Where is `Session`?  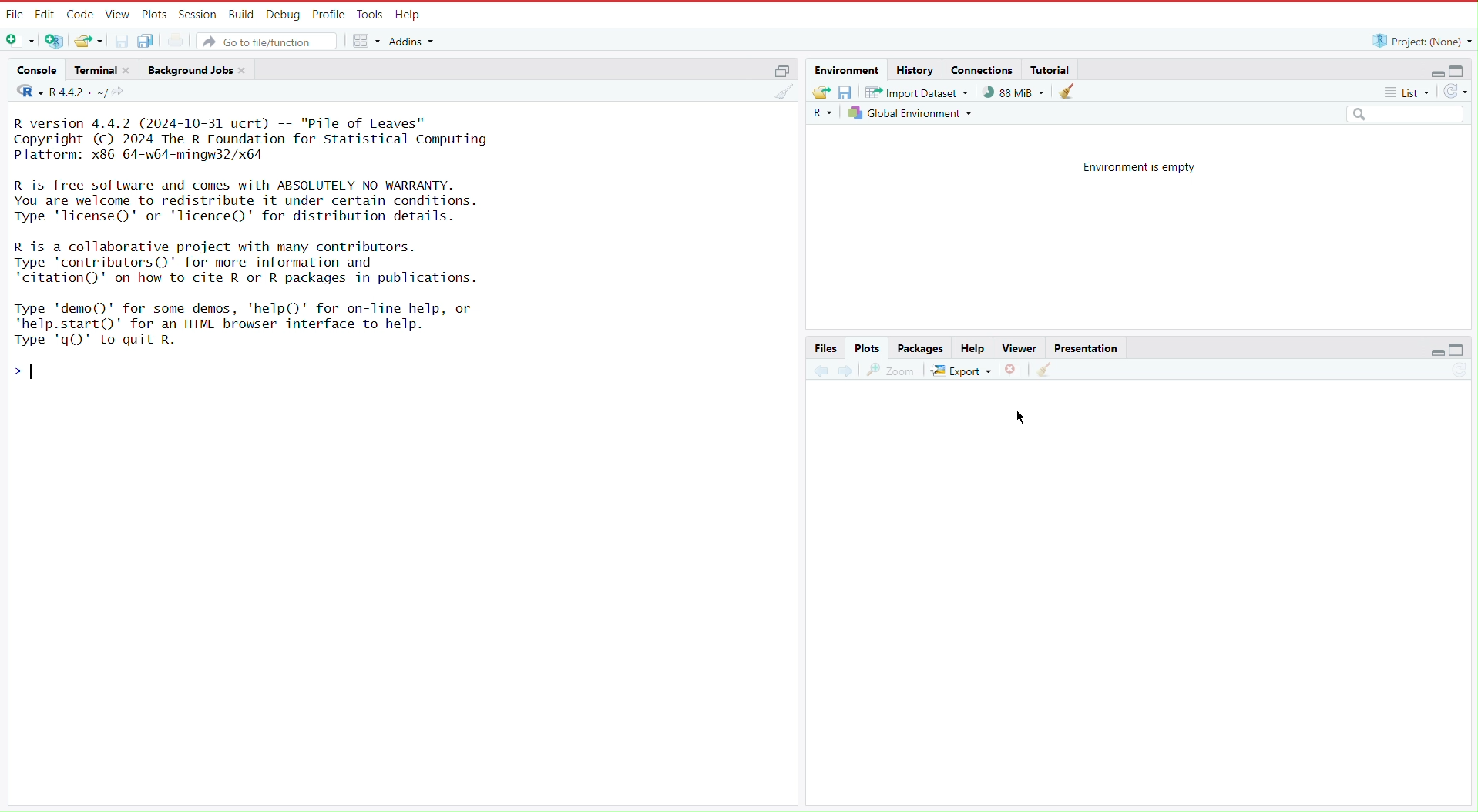 Session is located at coordinates (195, 14).